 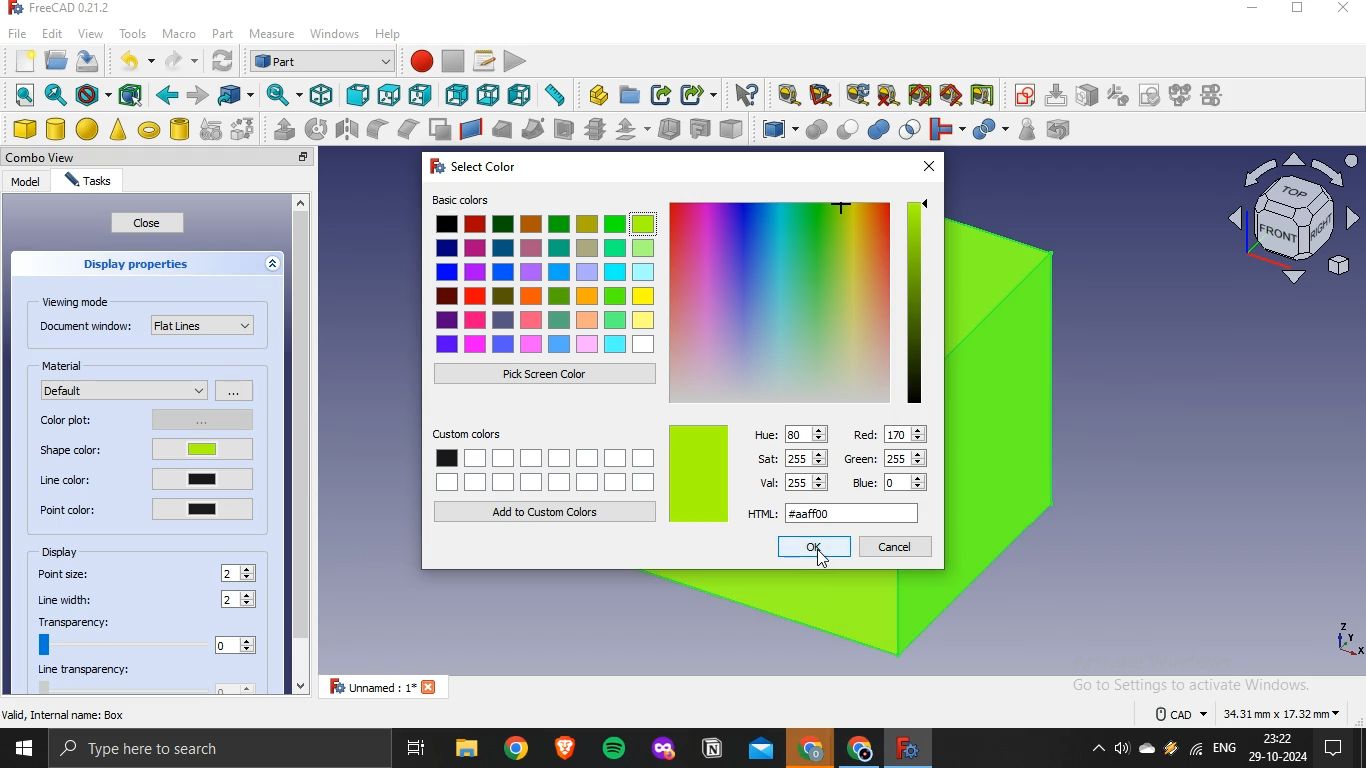 What do you see at coordinates (137, 263) in the screenshot?
I see `display properties` at bounding box center [137, 263].